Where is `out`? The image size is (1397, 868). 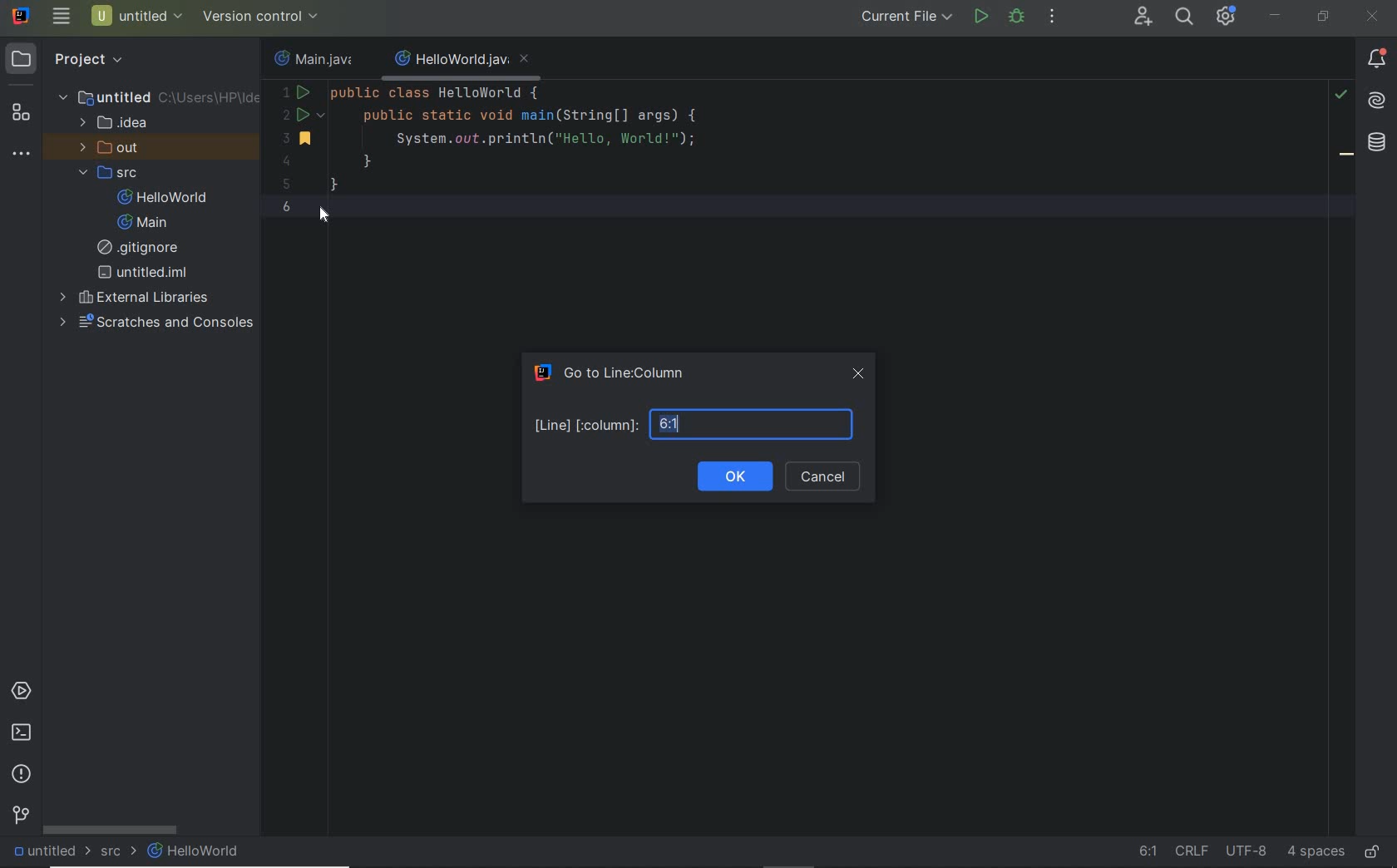 out is located at coordinates (113, 147).